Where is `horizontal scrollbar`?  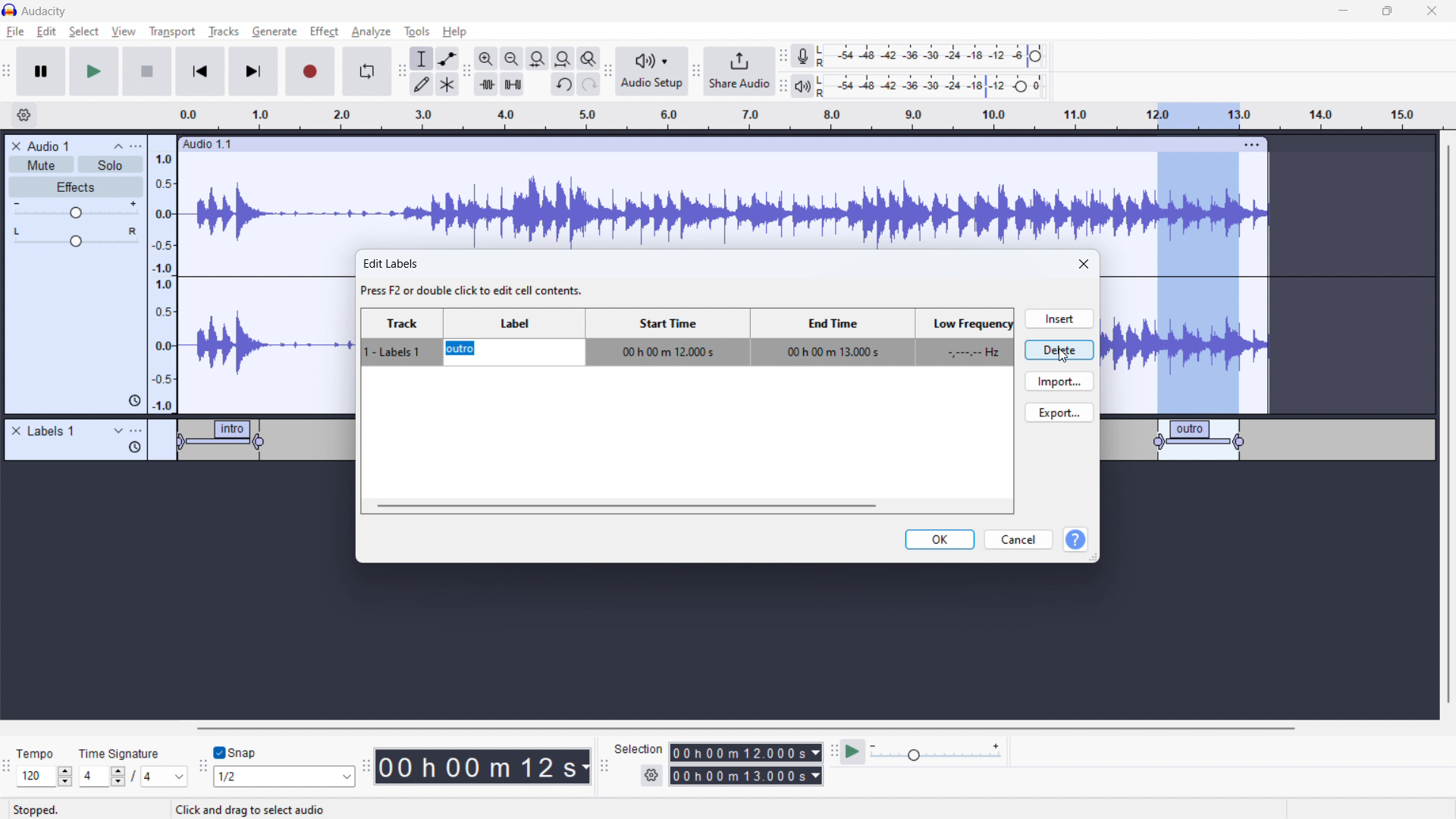
horizontal scrollbar is located at coordinates (626, 505).